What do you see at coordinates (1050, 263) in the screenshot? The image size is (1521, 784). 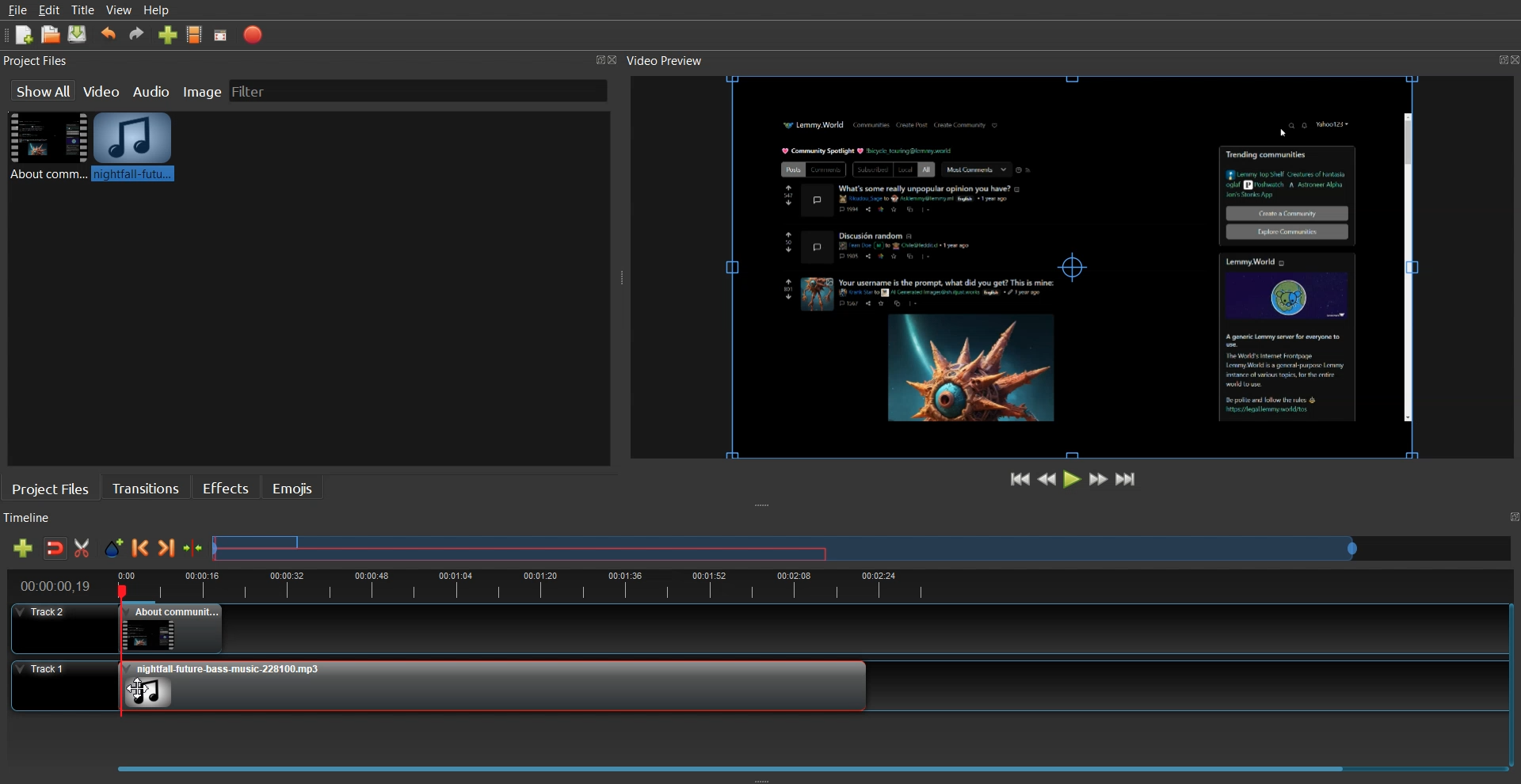 I see `File Preview` at bounding box center [1050, 263].